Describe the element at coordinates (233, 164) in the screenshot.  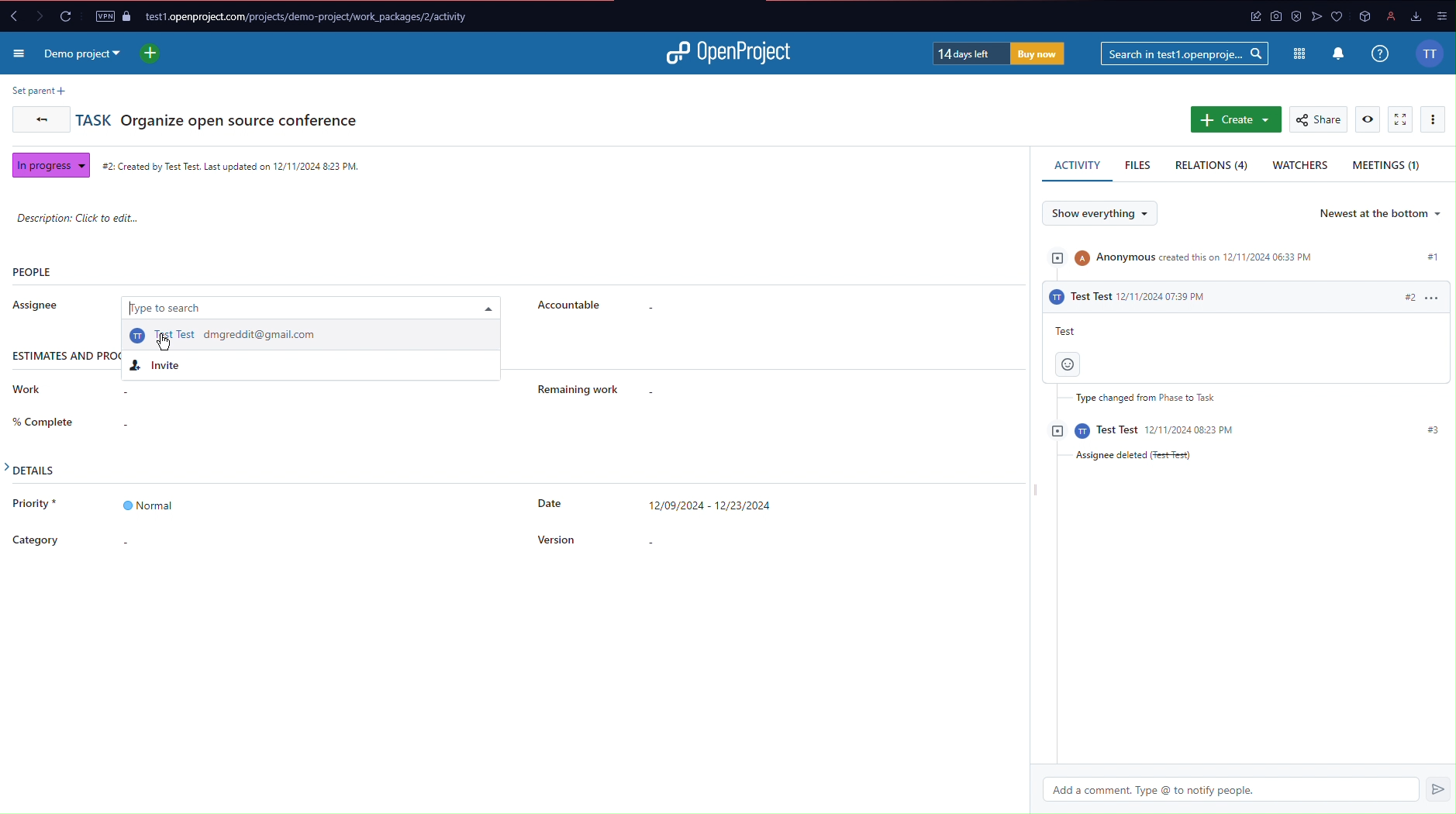
I see `Created Time` at that location.